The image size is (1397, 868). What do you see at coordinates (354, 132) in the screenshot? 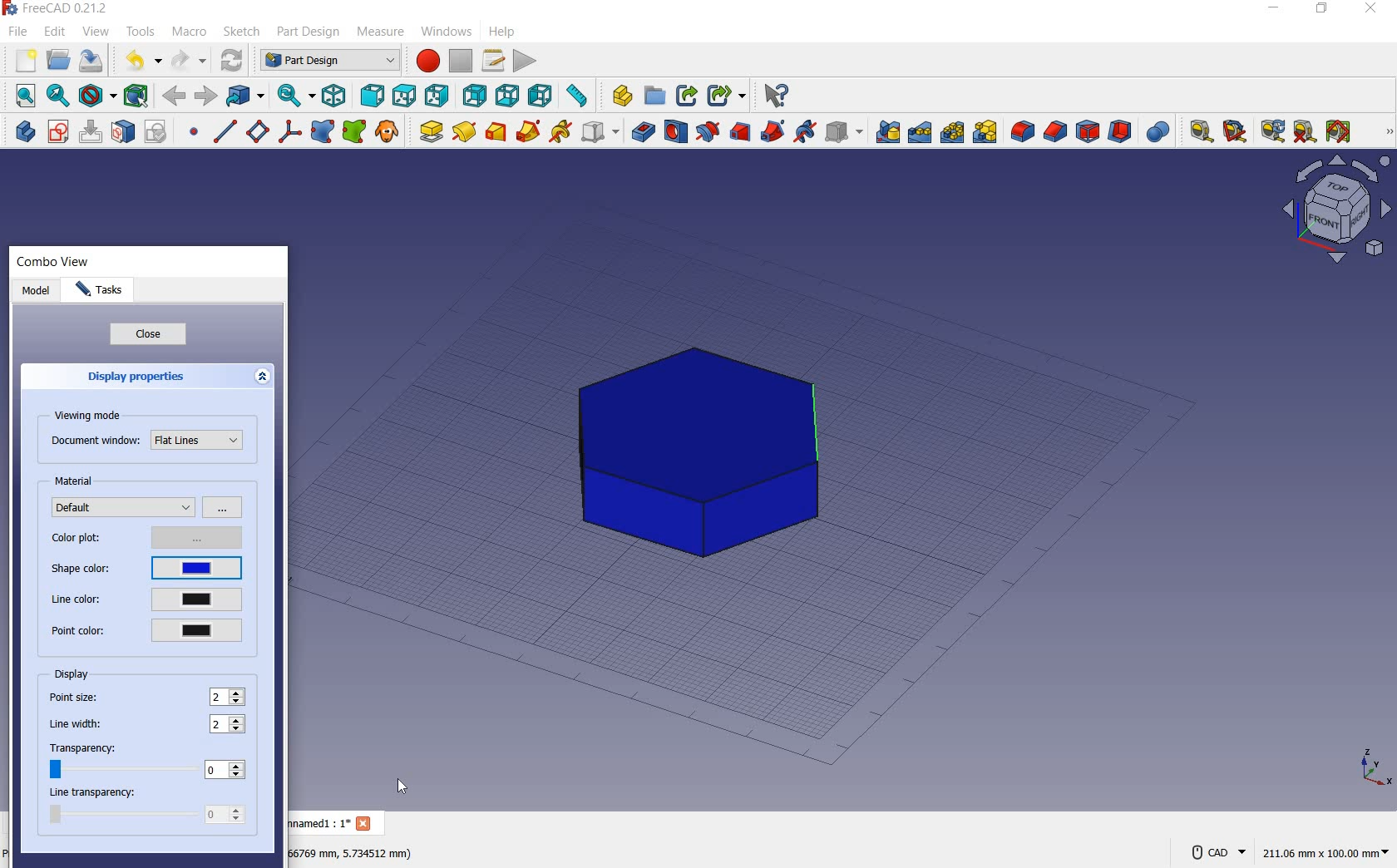
I see `create s sub-object shape binder` at bounding box center [354, 132].